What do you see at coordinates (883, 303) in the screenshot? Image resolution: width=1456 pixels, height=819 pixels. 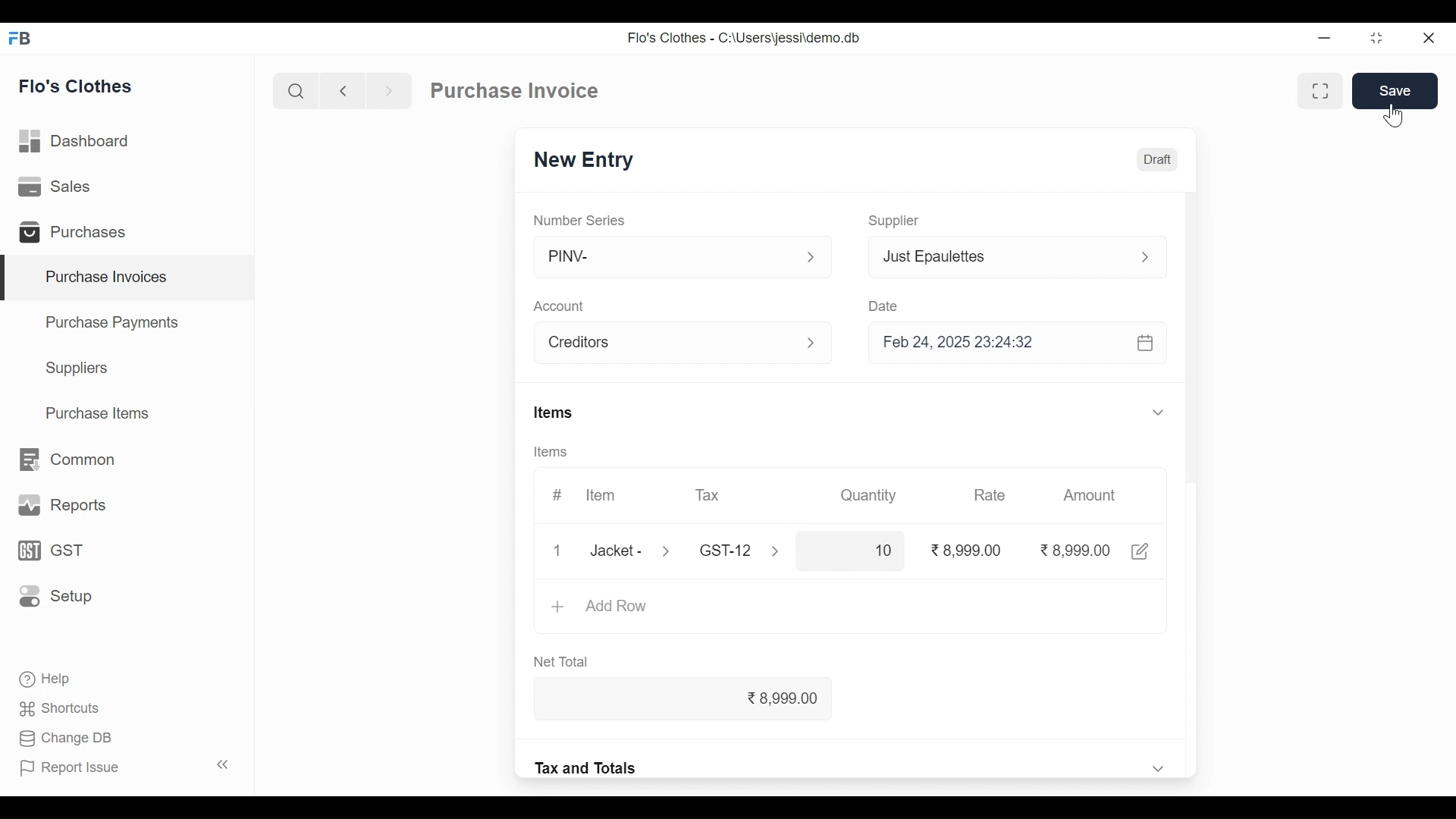 I see `Date` at bounding box center [883, 303].